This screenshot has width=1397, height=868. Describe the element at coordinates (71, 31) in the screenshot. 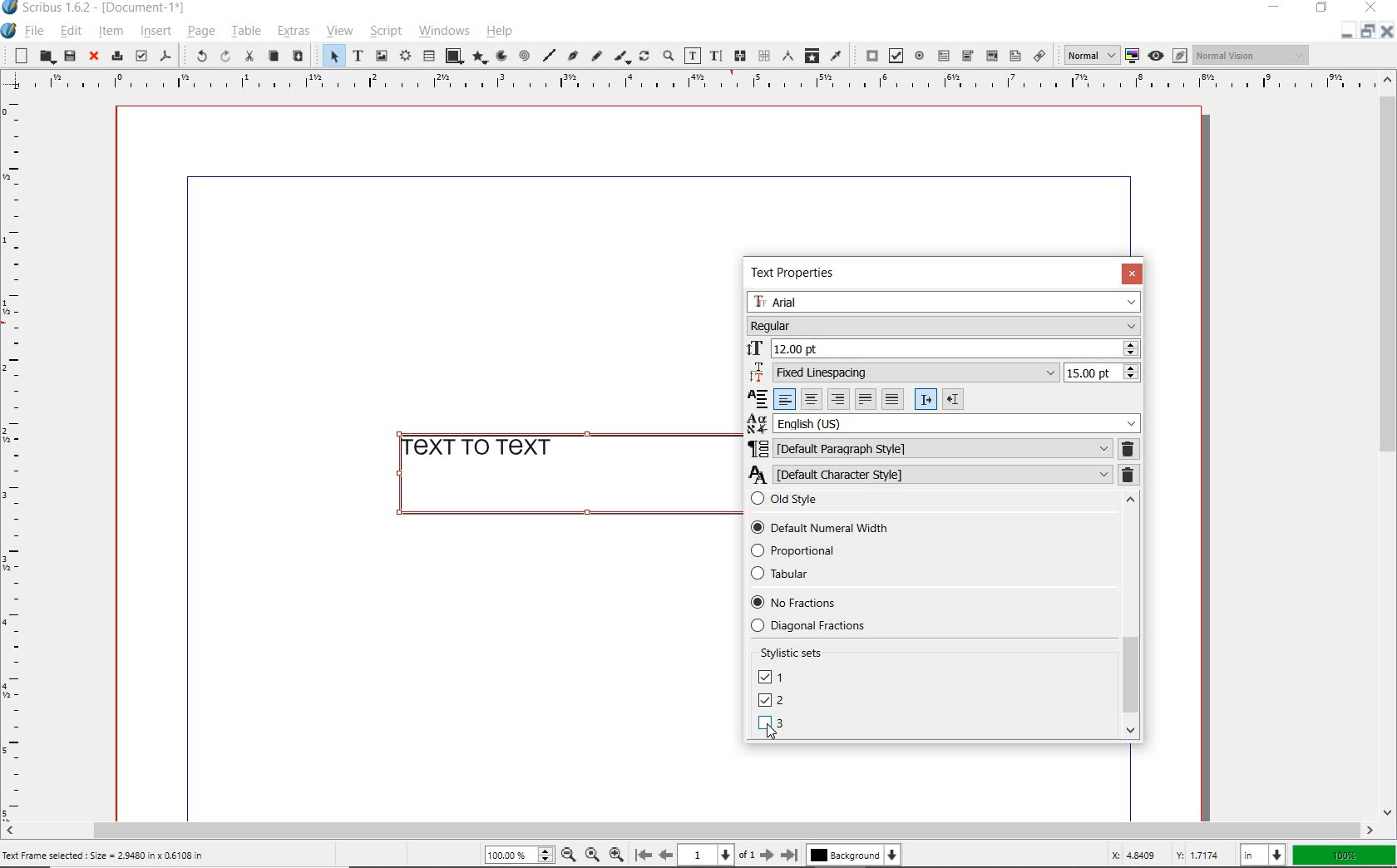

I see `edit` at that location.